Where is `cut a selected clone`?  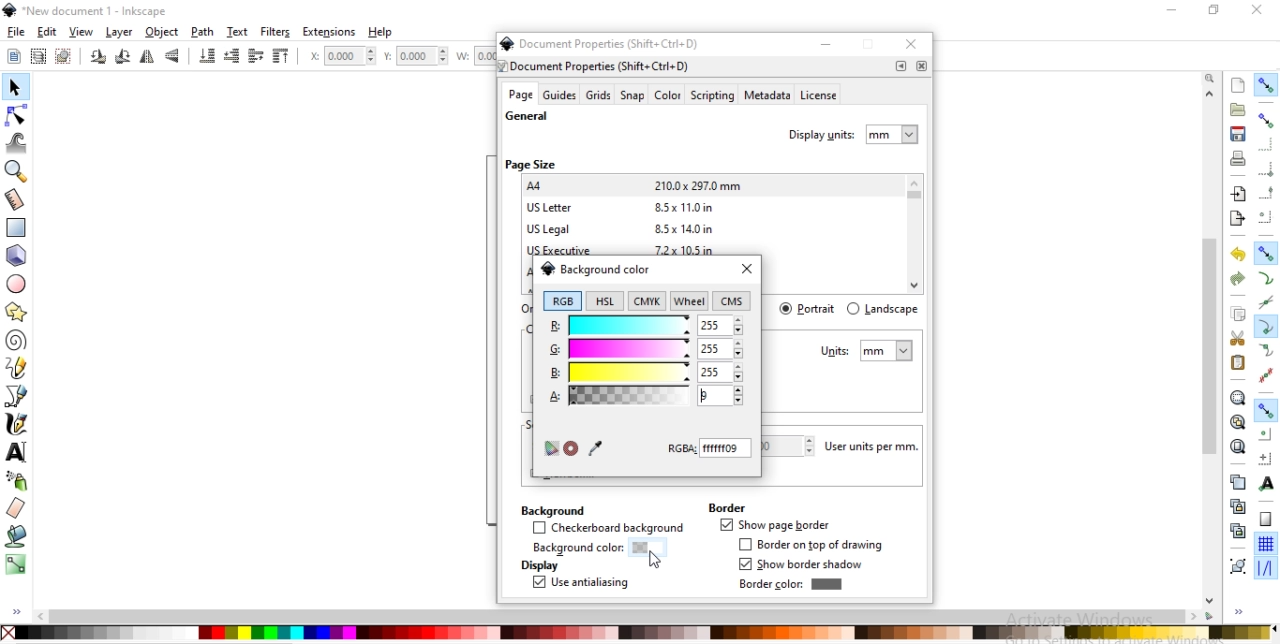
cut a selected clone is located at coordinates (1236, 533).